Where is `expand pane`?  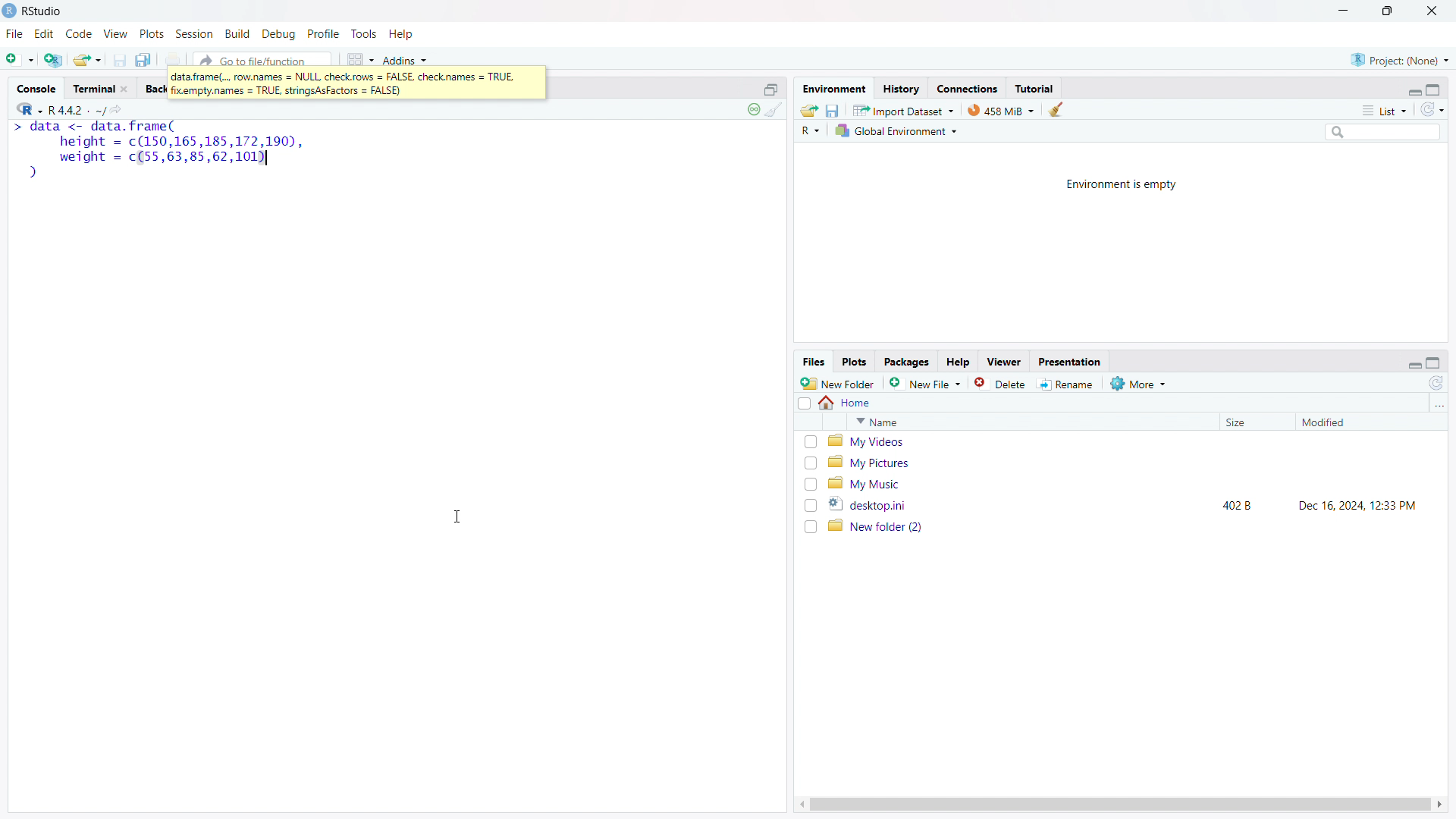
expand pane is located at coordinates (1436, 88).